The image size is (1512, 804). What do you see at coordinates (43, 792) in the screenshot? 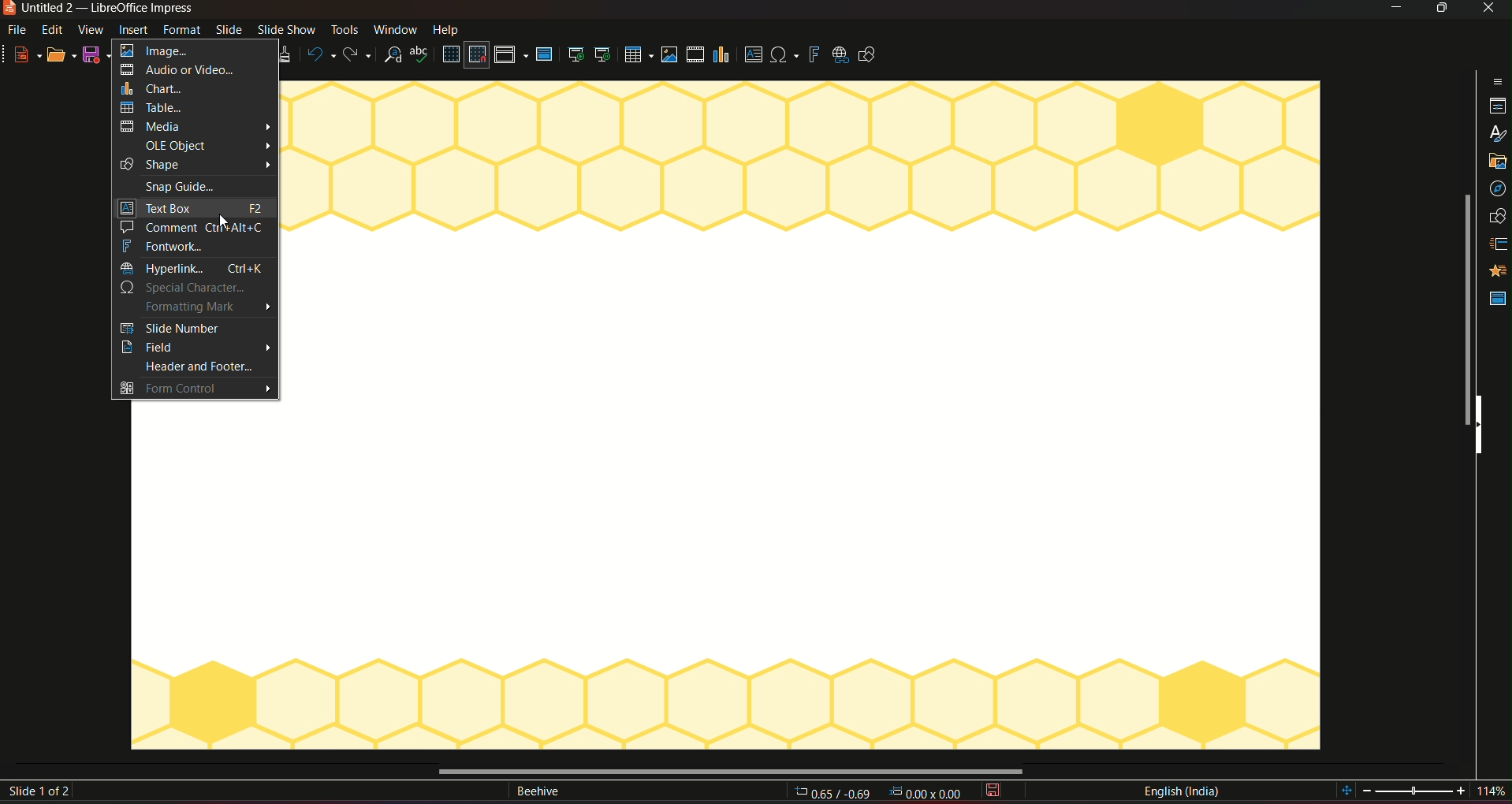
I see `slide 1 of 2` at bounding box center [43, 792].